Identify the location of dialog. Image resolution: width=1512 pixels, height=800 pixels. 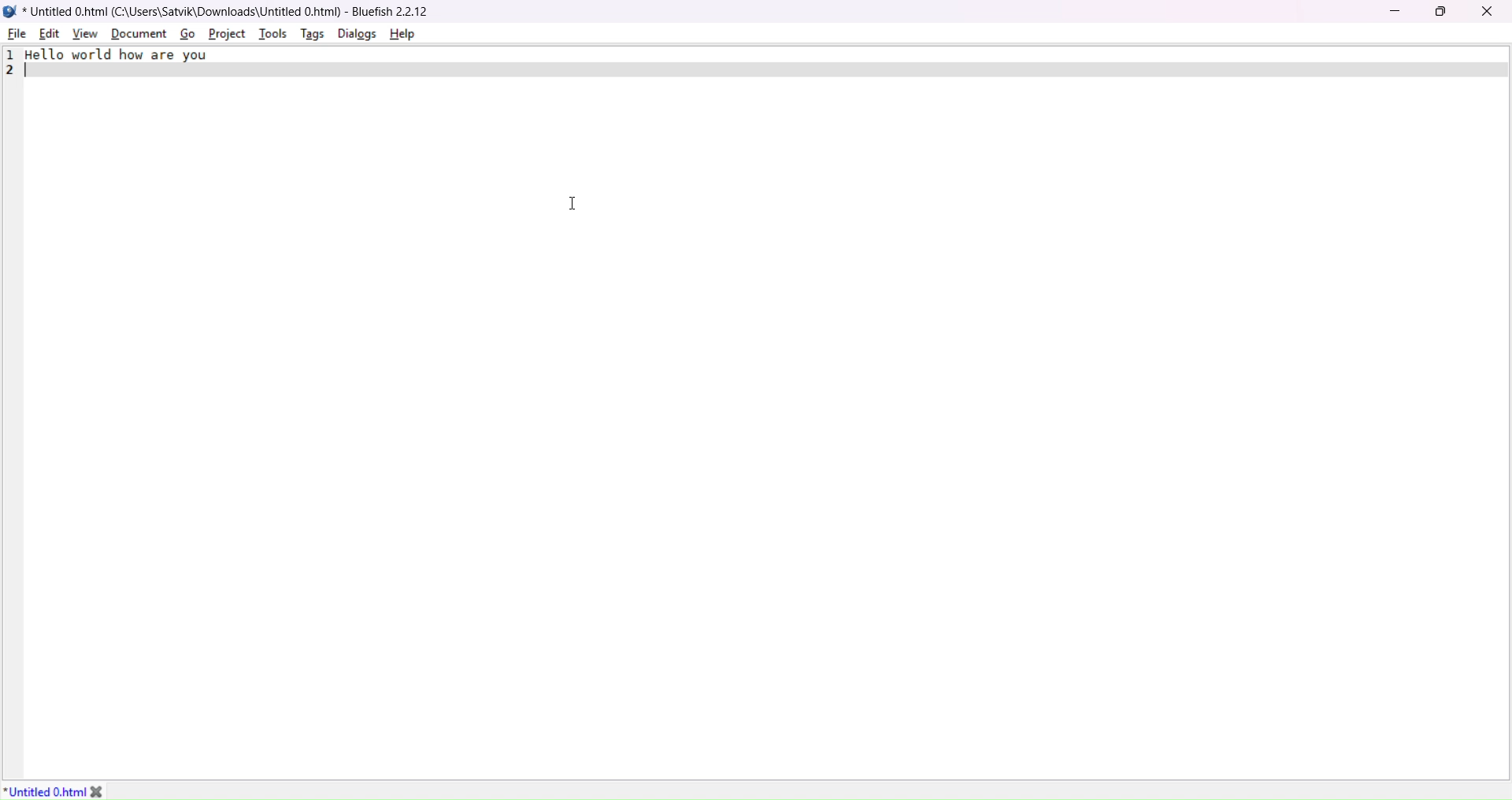
(358, 34).